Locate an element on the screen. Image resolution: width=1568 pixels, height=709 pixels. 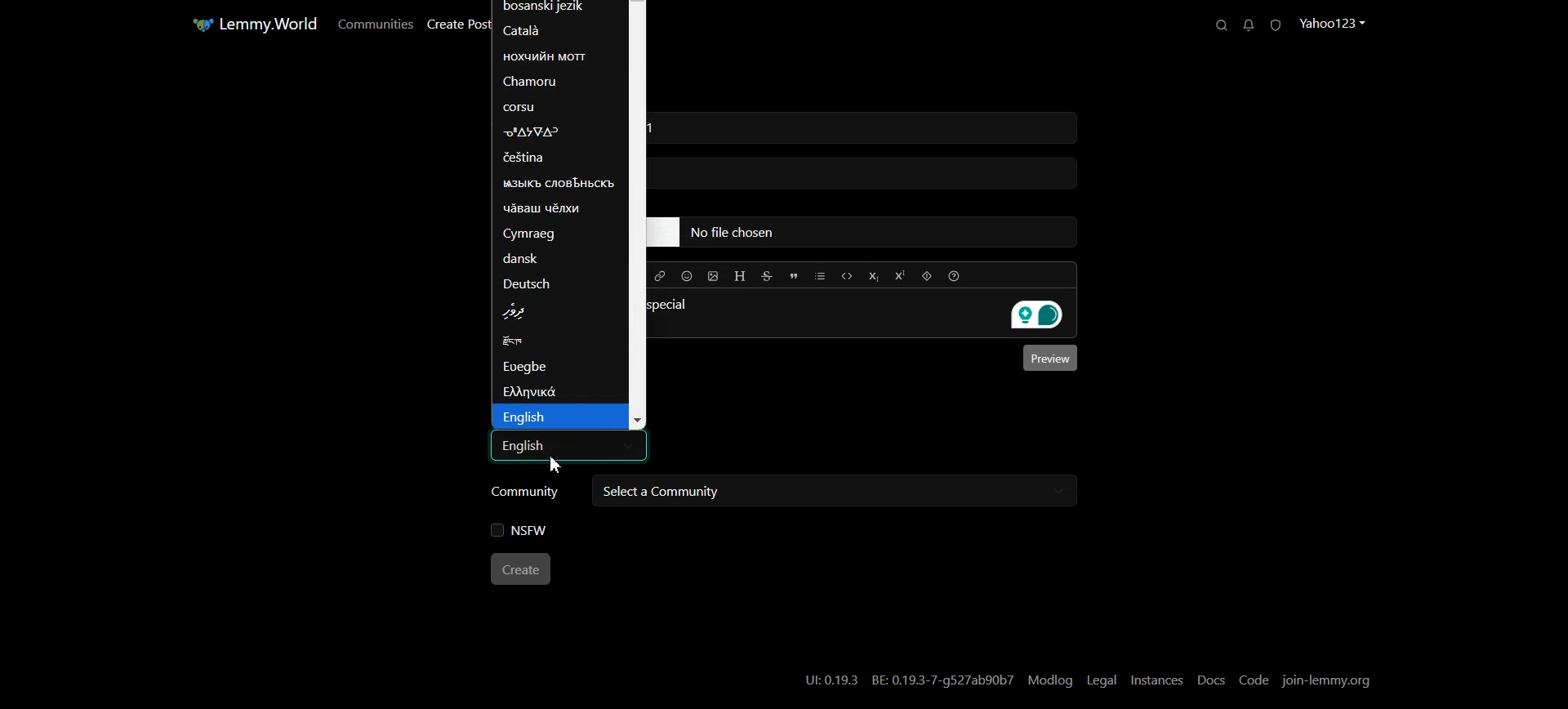
UI:0.19.3 BE: 0.19.3-7-g527ab90b7 is located at coordinates (907, 680).